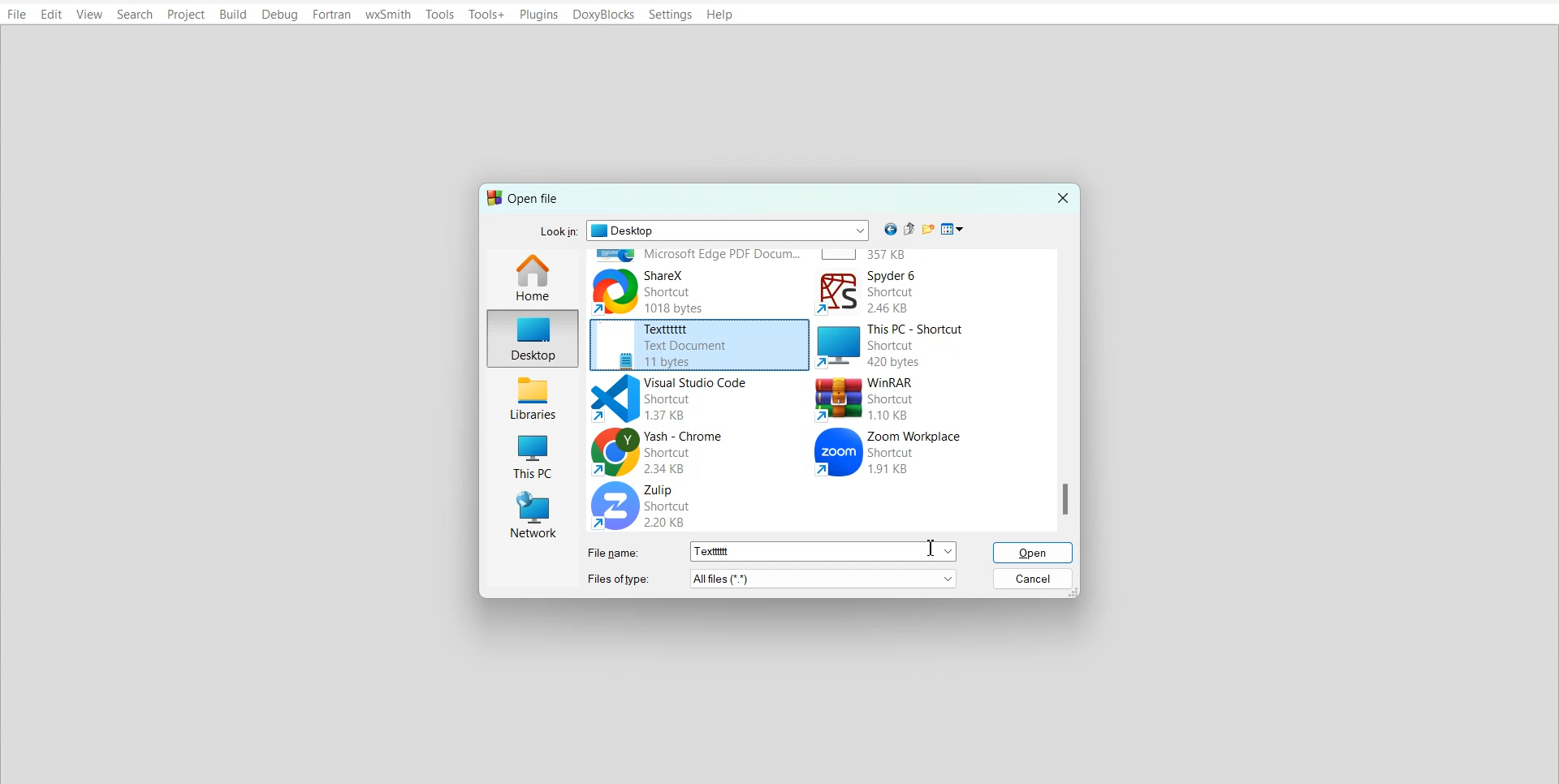 The width and height of the screenshot is (1559, 784). I want to click on Up one level, so click(909, 230).